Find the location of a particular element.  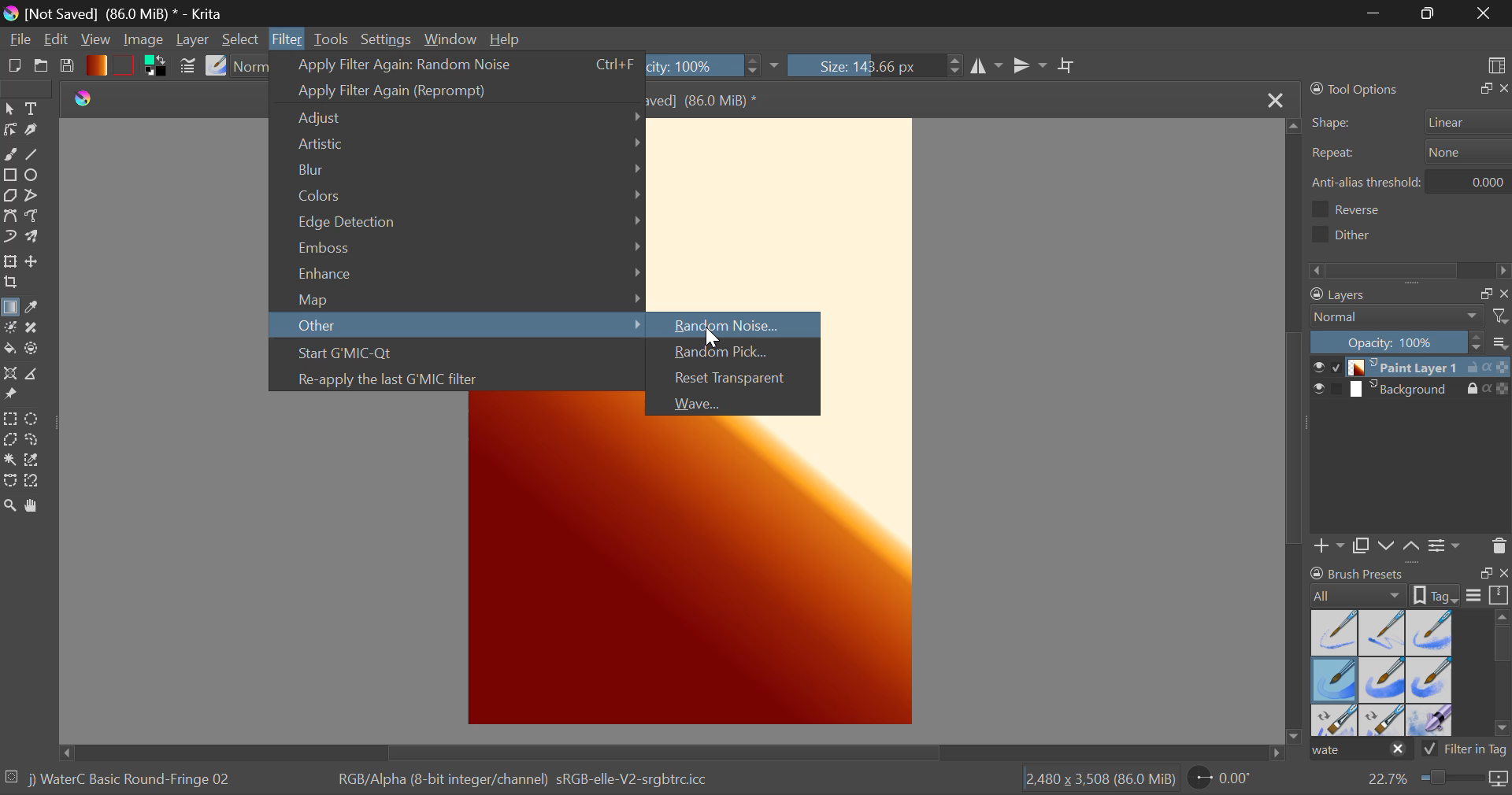

Shape selector is located at coordinates (1469, 121).